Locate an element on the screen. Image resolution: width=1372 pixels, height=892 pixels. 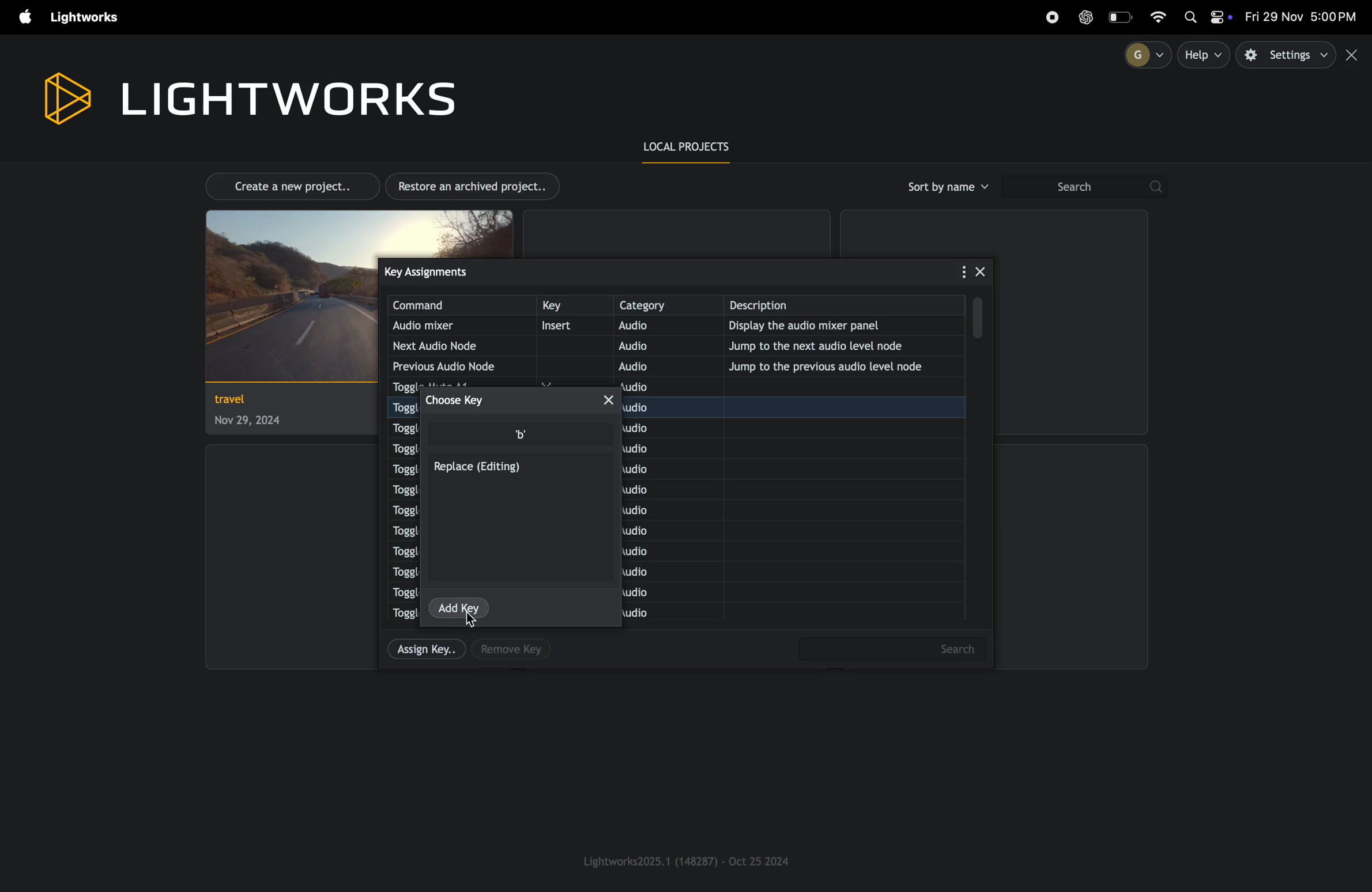
choose key is located at coordinates (463, 400).